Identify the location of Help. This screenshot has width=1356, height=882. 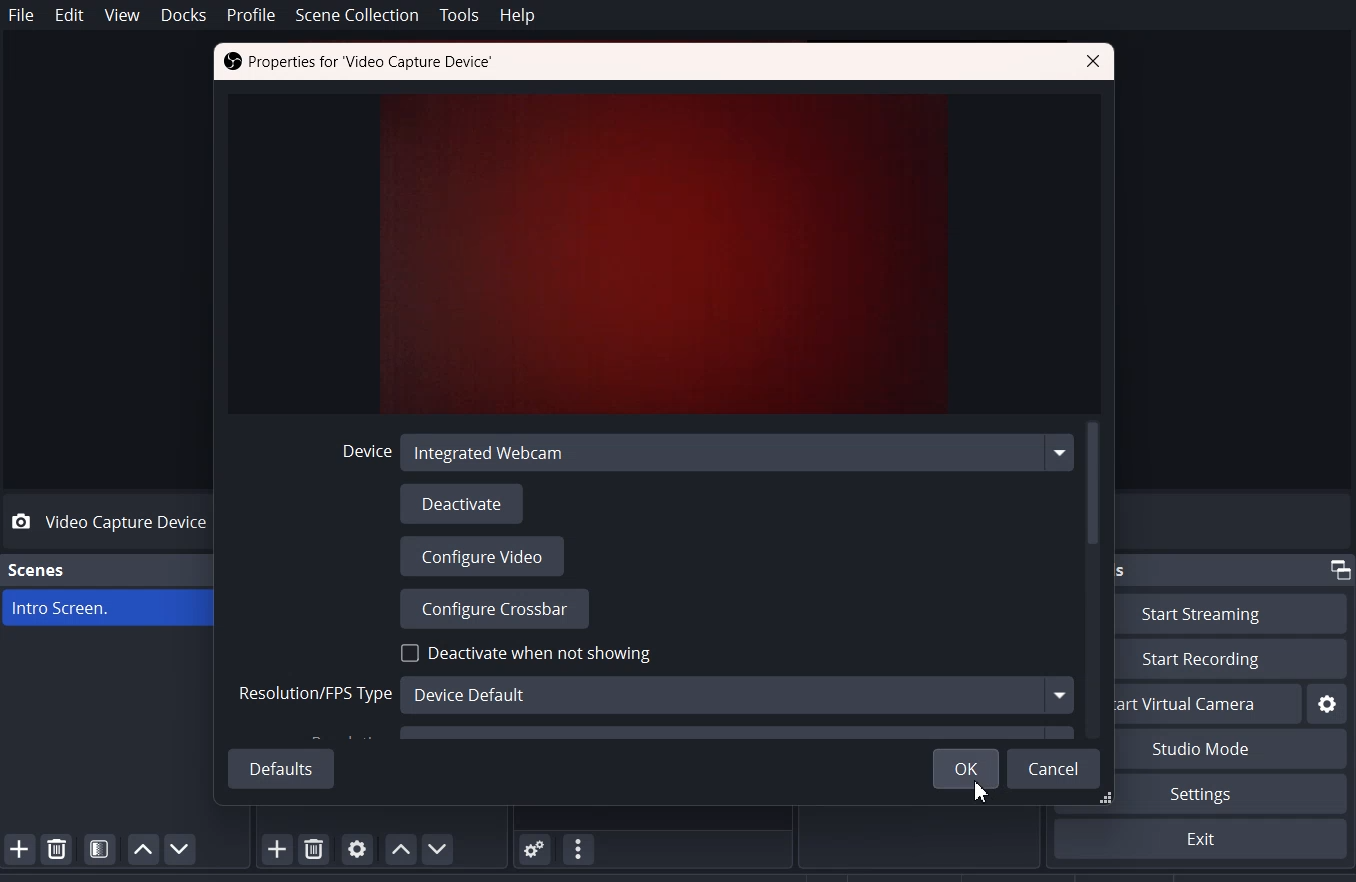
(516, 16).